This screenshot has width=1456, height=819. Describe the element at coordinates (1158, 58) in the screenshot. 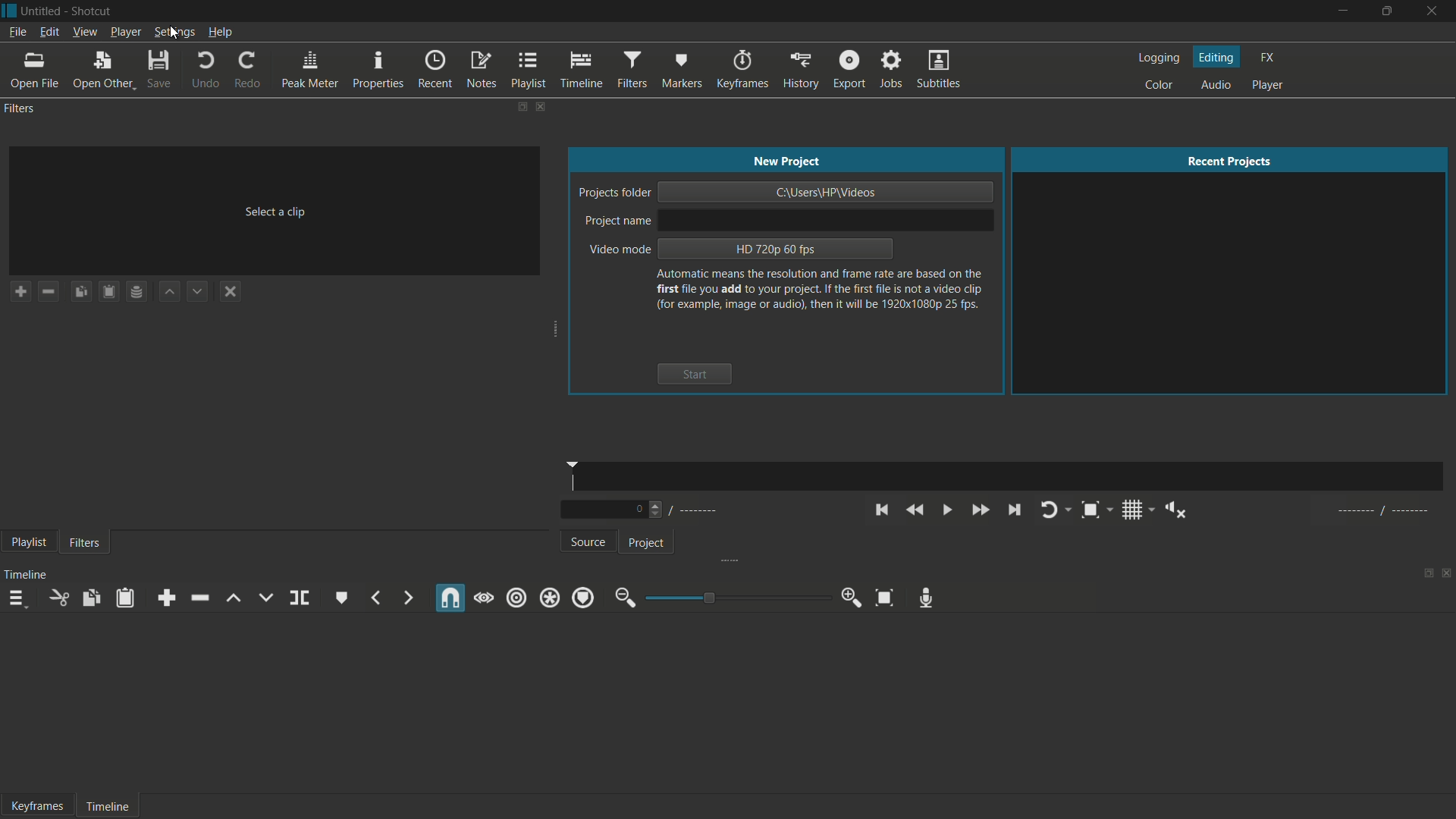

I see `logging` at that location.